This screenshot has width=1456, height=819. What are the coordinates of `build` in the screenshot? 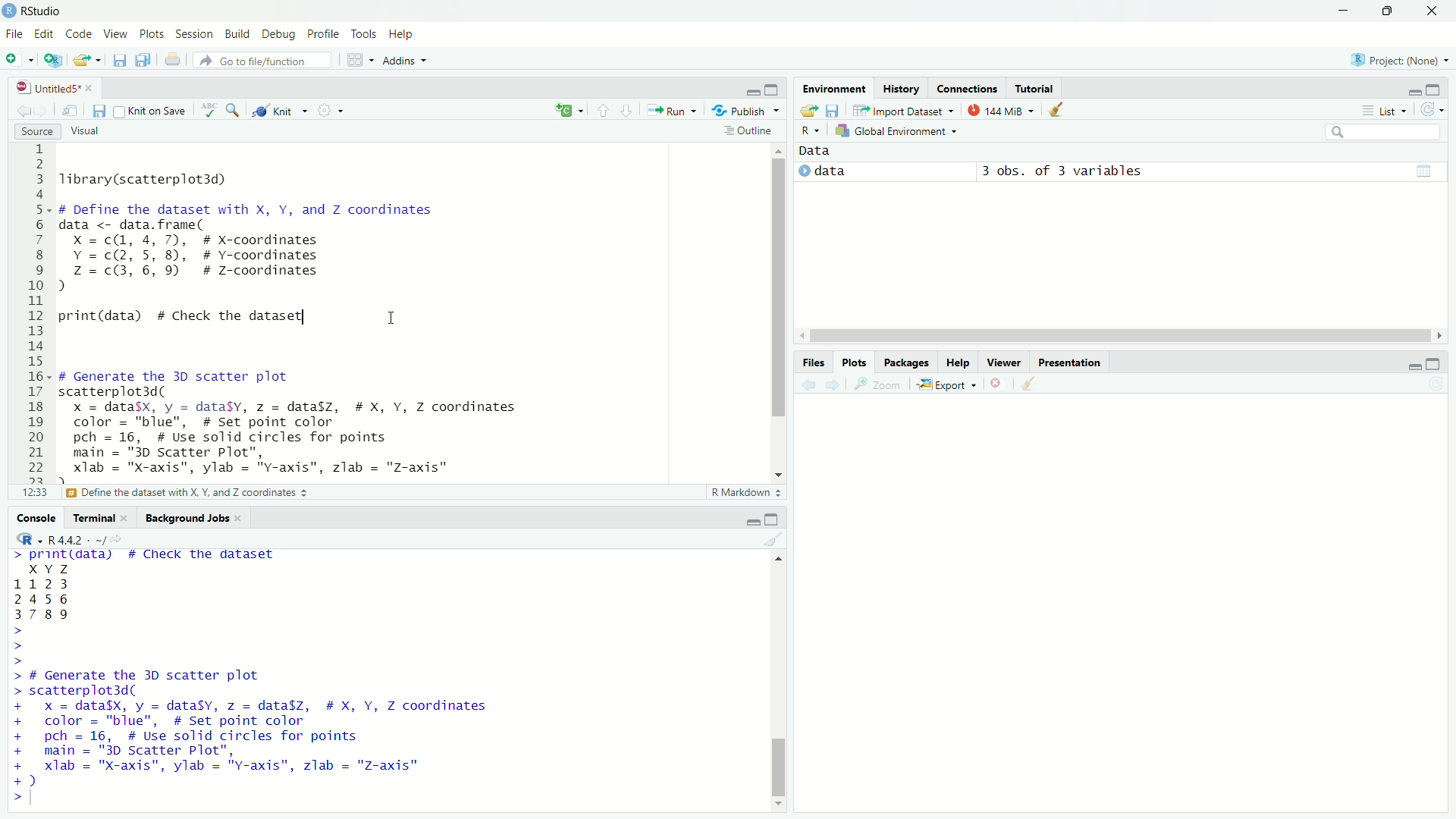 It's located at (240, 35).